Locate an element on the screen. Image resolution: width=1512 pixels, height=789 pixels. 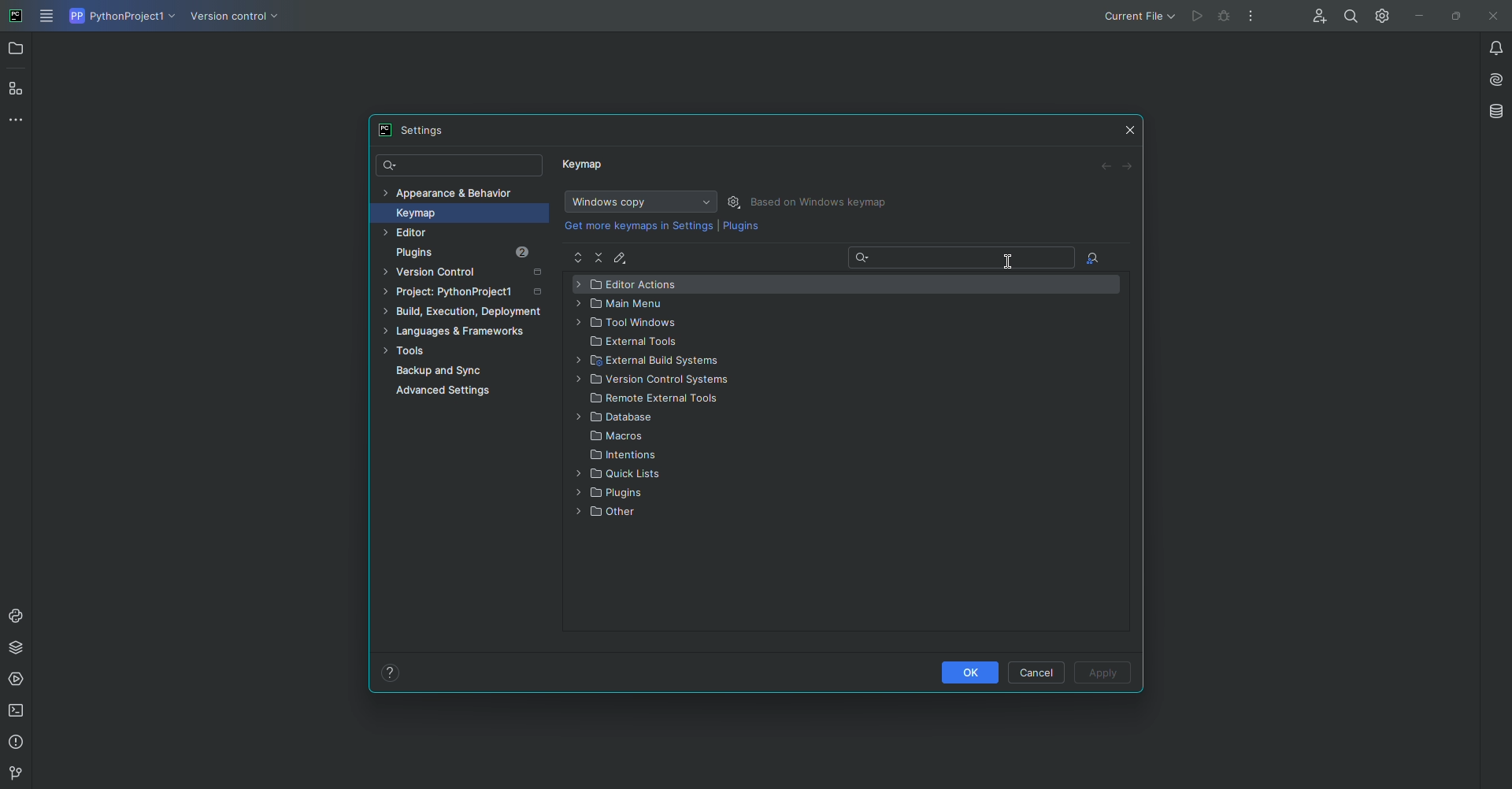
AI is located at coordinates (1491, 78).